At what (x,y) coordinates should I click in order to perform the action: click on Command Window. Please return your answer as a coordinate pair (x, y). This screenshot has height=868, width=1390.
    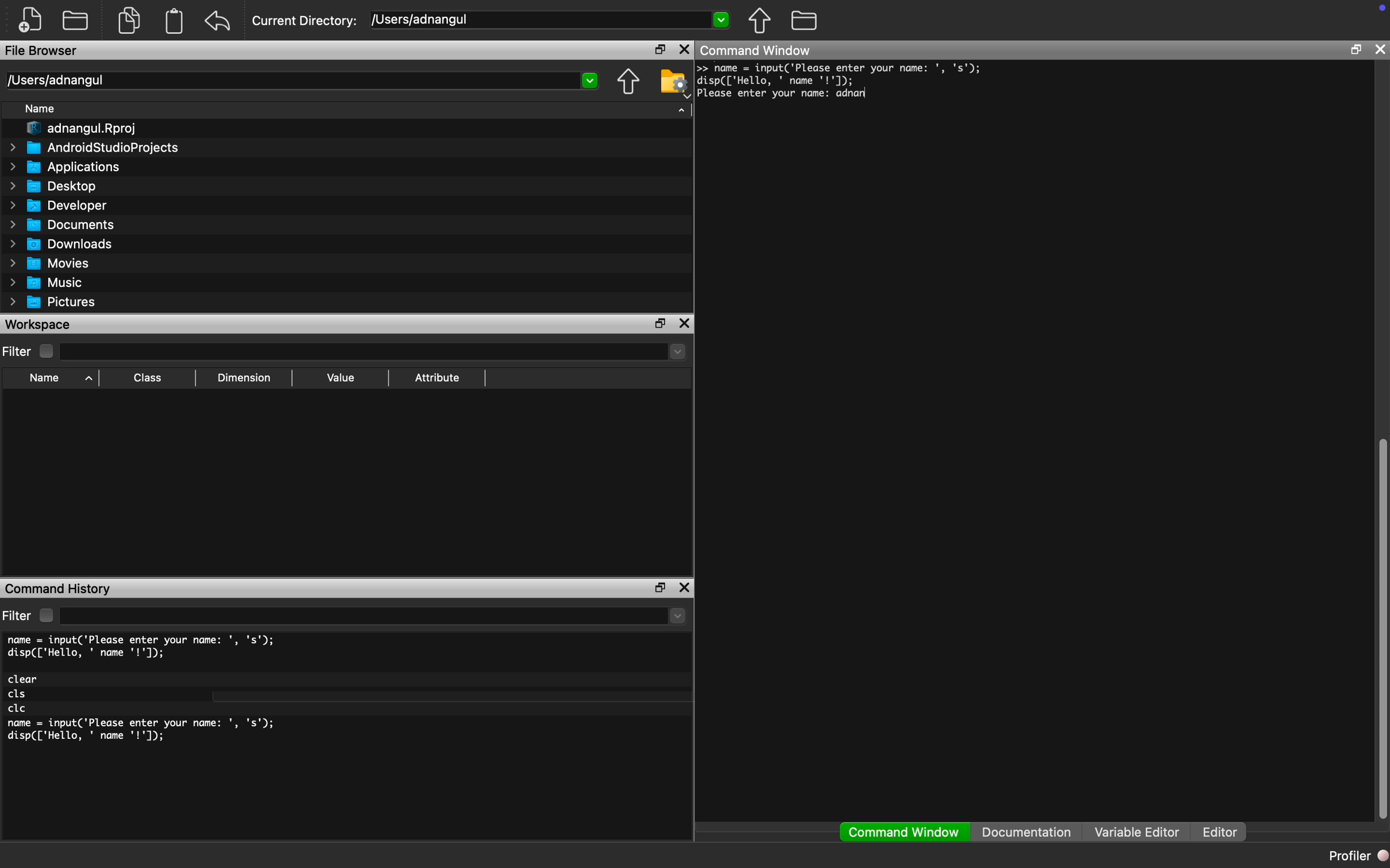
    Looking at the image, I should click on (905, 832).